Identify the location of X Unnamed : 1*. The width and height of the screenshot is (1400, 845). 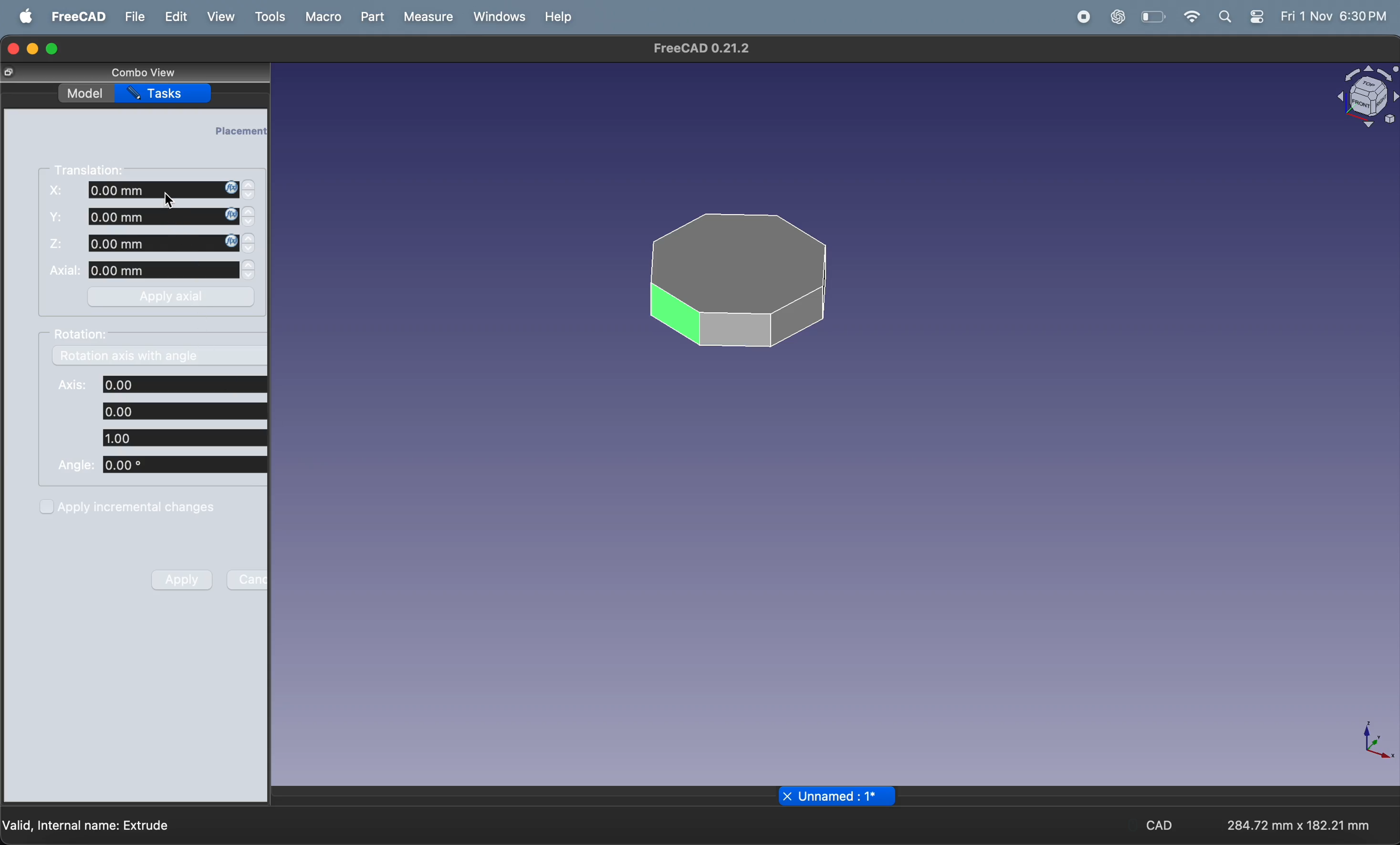
(839, 796).